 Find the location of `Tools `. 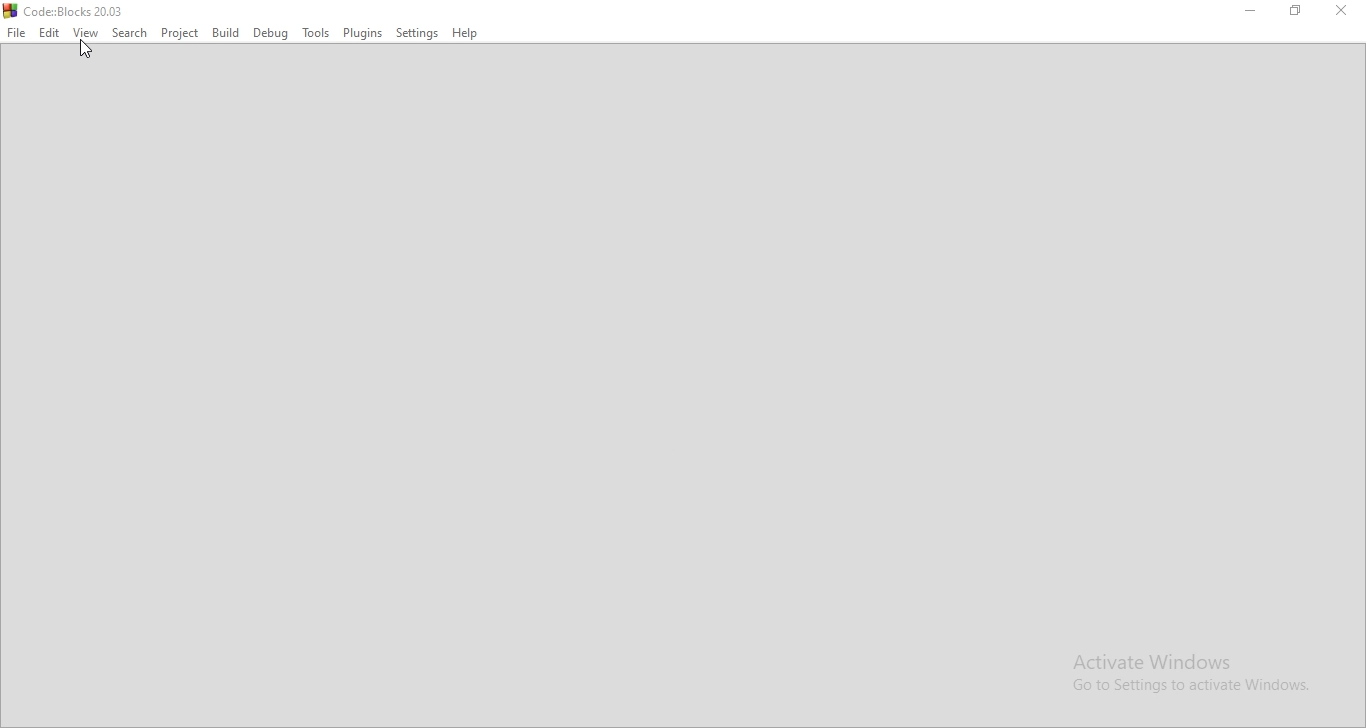

Tools  is located at coordinates (313, 33).